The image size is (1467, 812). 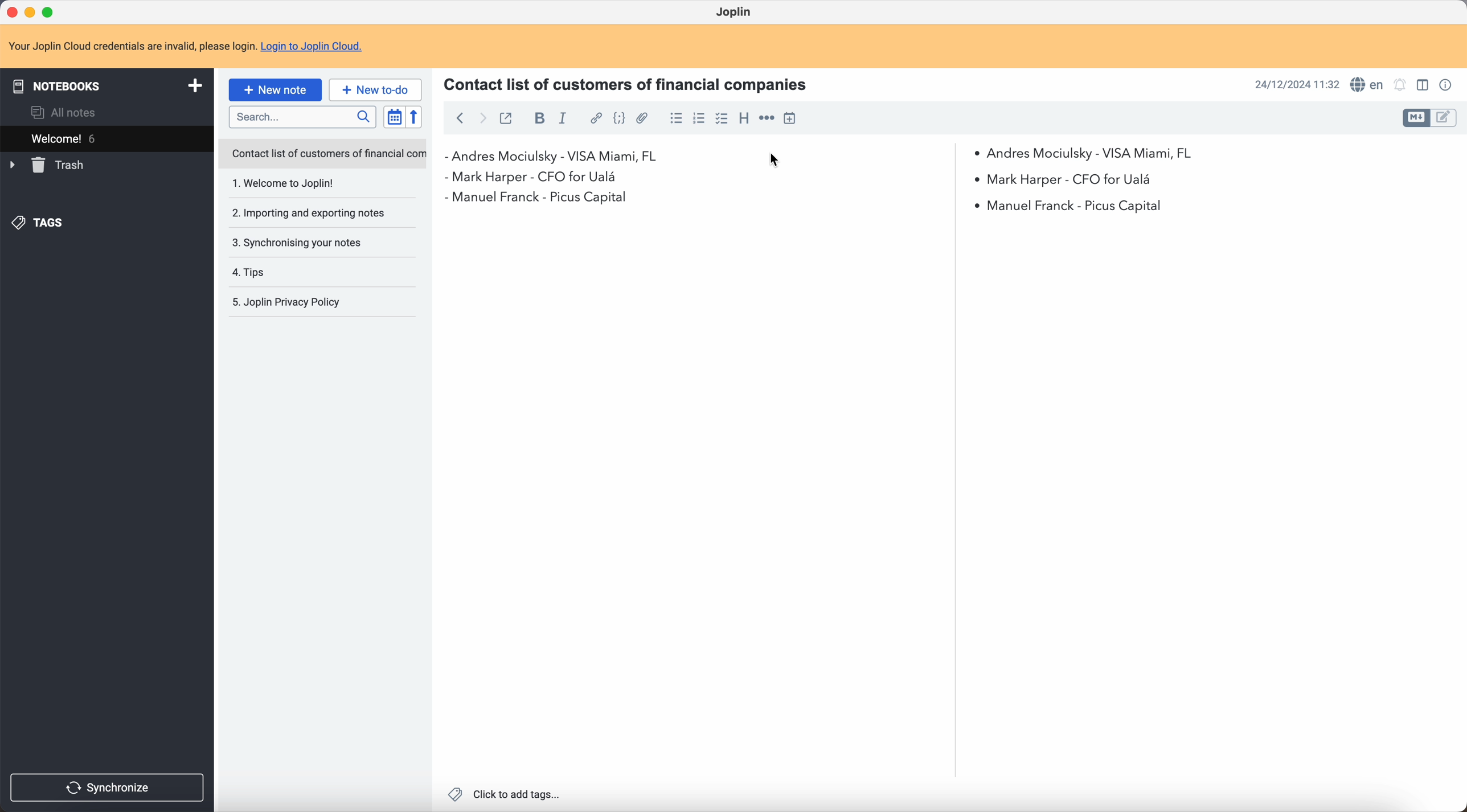 What do you see at coordinates (675, 121) in the screenshot?
I see `click on bulleted list` at bounding box center [675, 121].